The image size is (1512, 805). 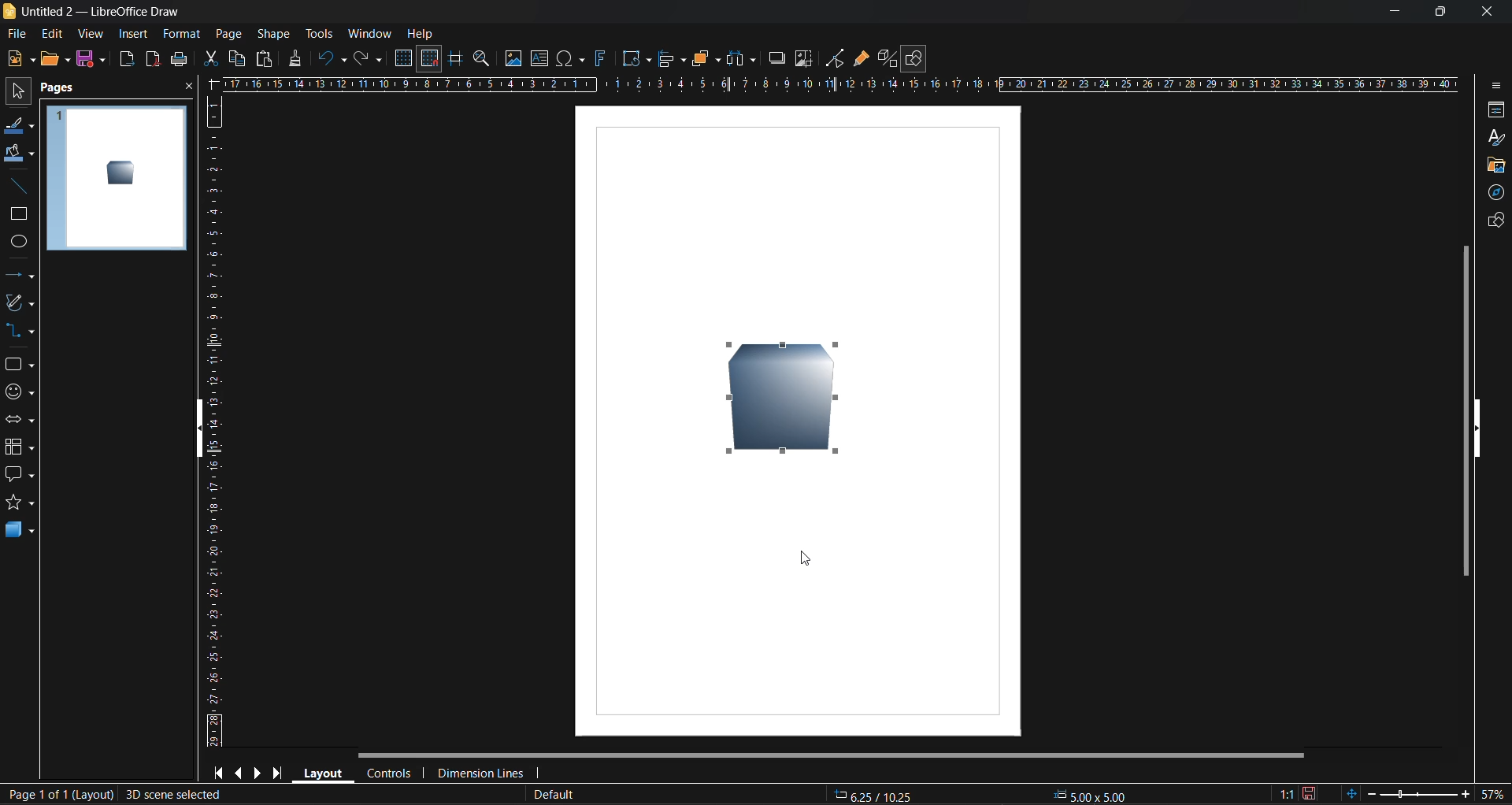 What do you see at coordinates (1484, 9) in the screenshot?
I see `close` at bounding box center [1484, 9].